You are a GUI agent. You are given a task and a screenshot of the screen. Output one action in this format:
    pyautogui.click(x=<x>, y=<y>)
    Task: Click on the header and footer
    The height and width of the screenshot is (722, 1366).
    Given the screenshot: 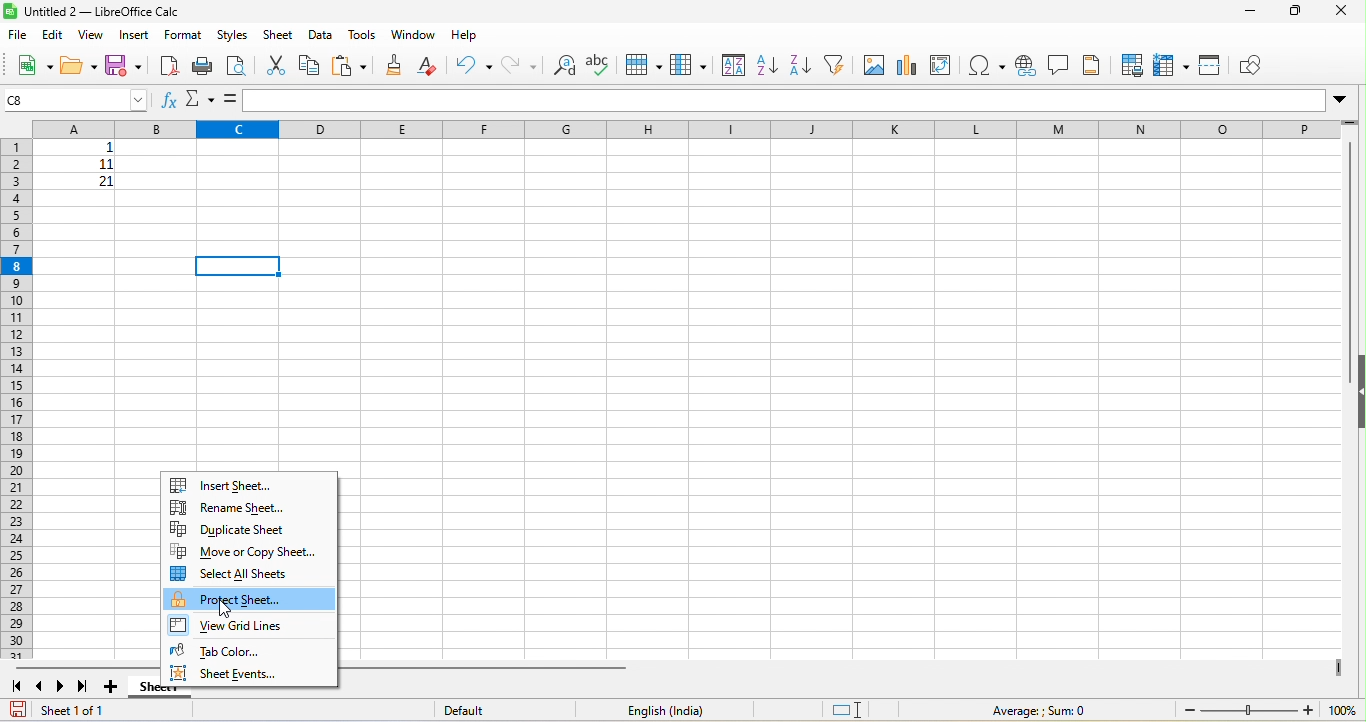 What is the action you would take?
    pyautogui.click(x=1095, y=65)
    